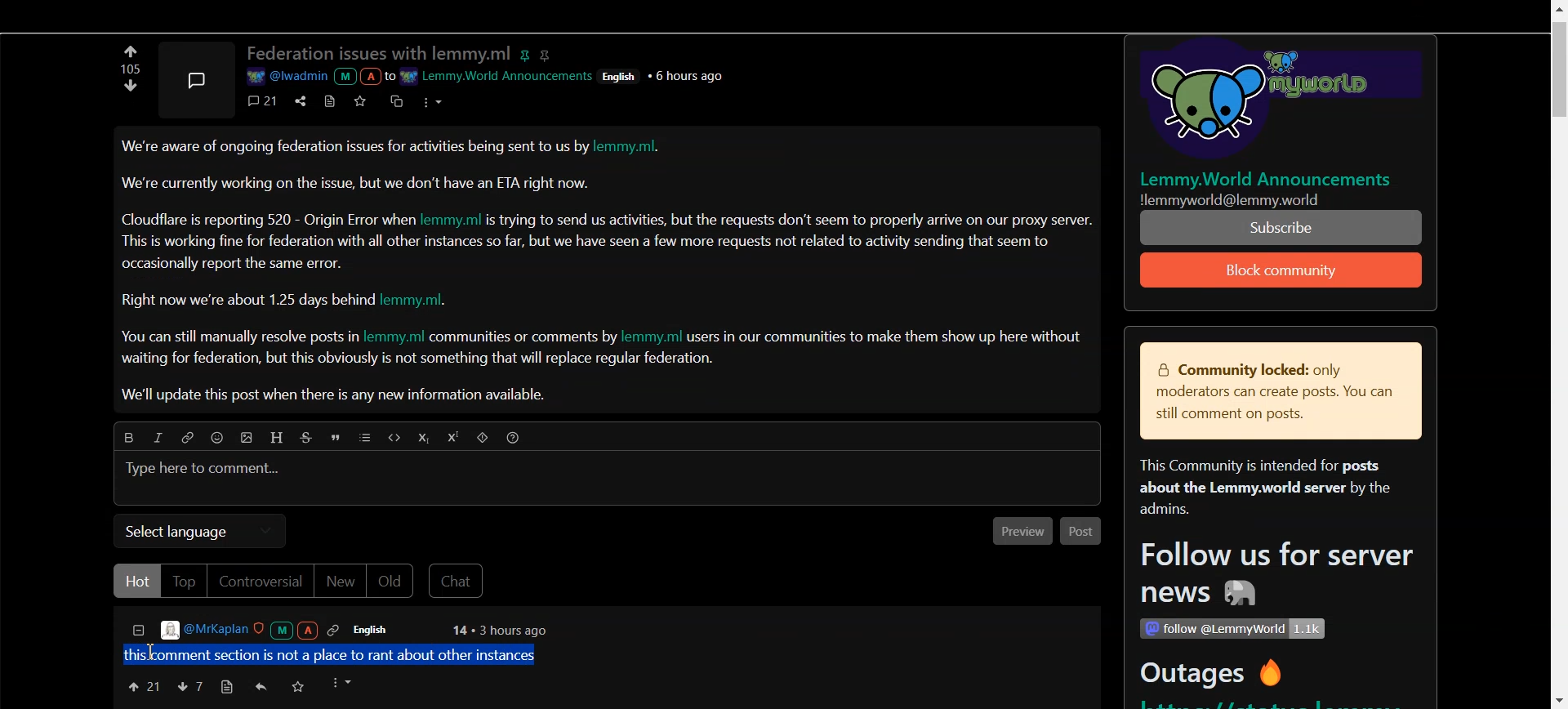 The height and width of the screenshot is (709, 1568). What do you see at coordinates (235, 339) in the screenshot?
I see `You can still manually resolve posts in` at bounding box center [235, 339].